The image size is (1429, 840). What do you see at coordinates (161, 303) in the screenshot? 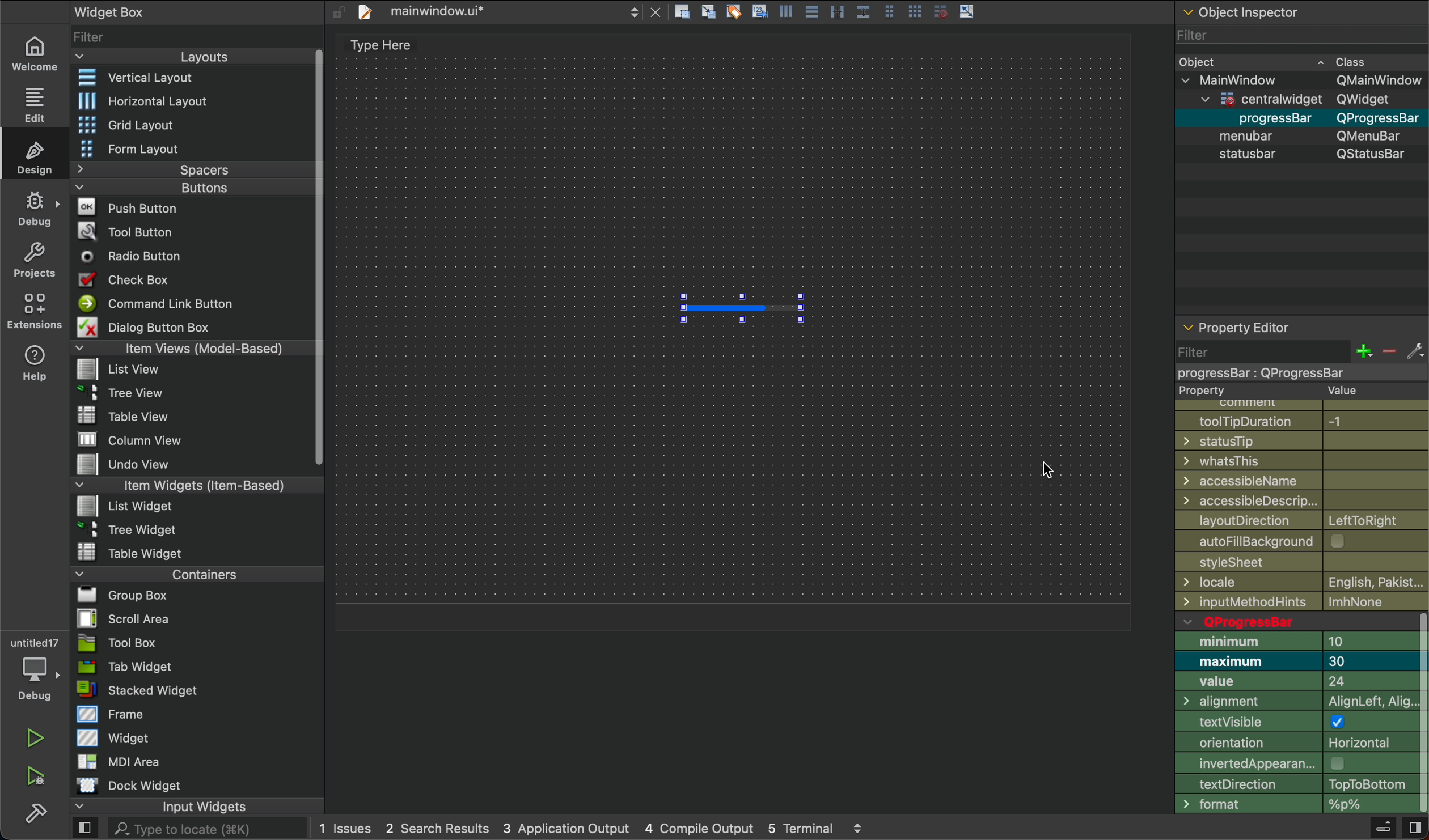
I see `Command button` at bounding box center [161, 303].